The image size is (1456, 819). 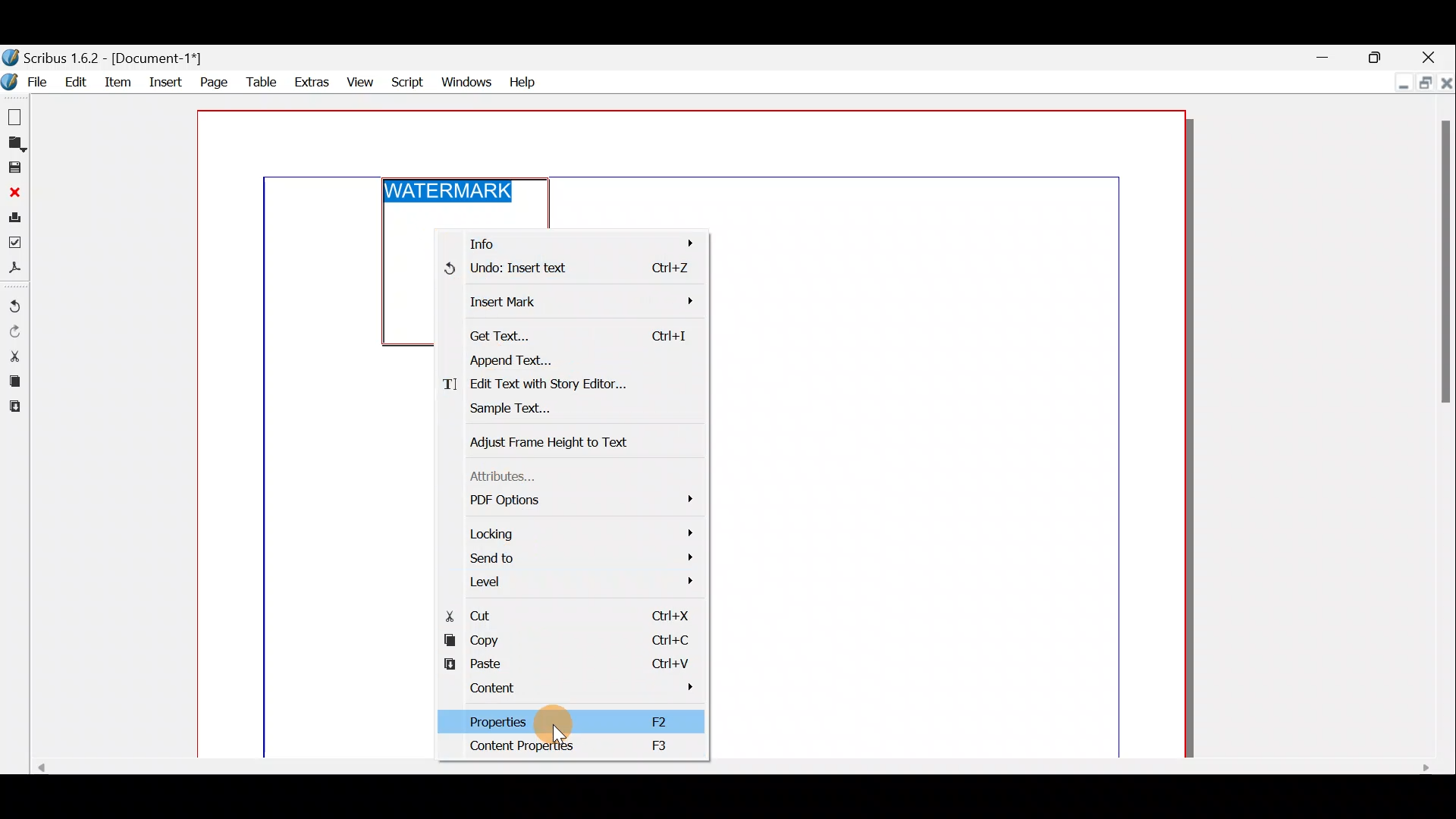 What do you see at coordinates (570, 660) in the screenshot?
I see `Paste` at bounding box center [570, 660].